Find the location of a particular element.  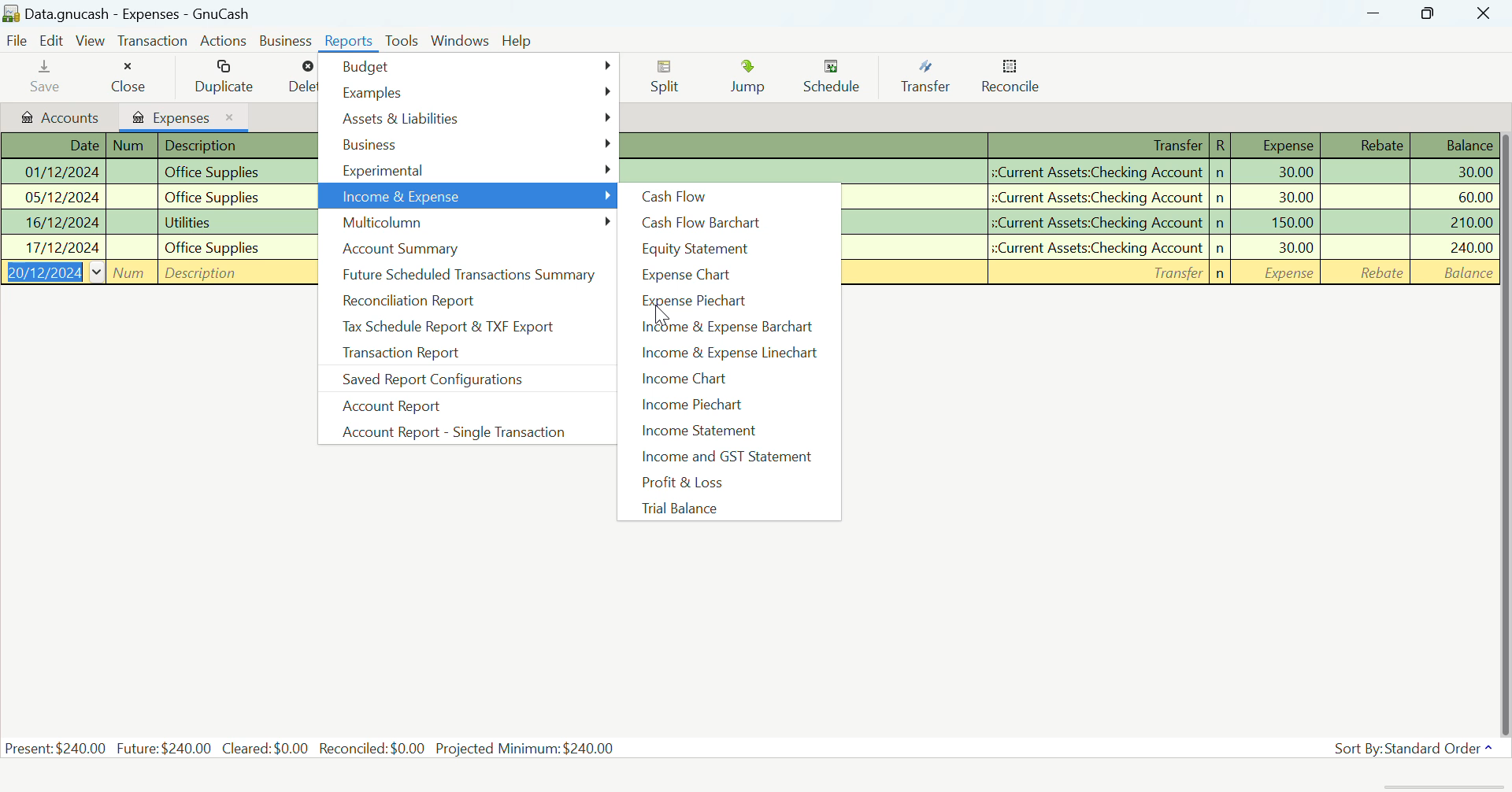

Office Supplies is located at coordinates (155, 196).